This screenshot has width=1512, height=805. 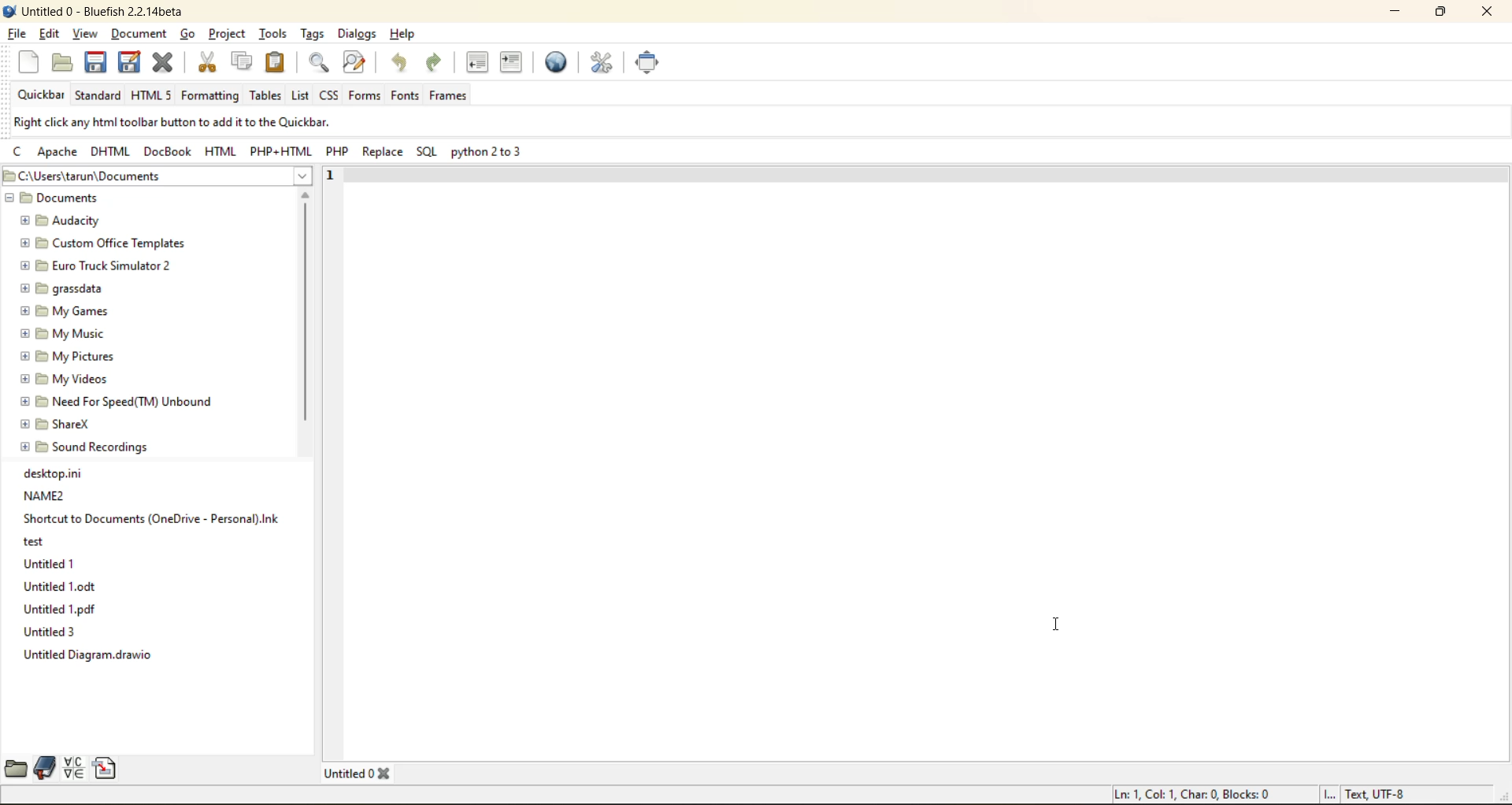 I want to click on BE Audacity, so click(x=65, y=219).